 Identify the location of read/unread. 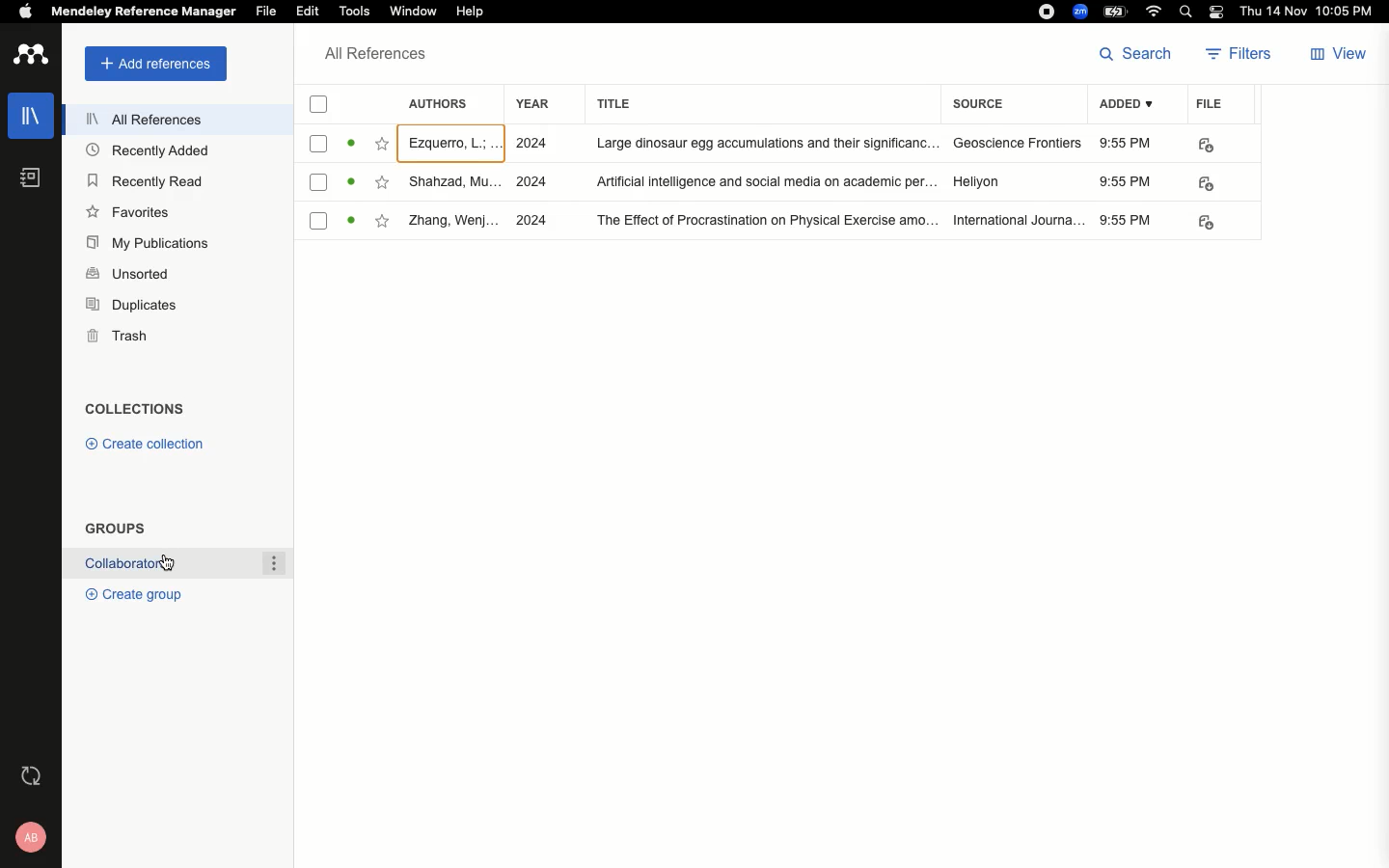
(351, 138).